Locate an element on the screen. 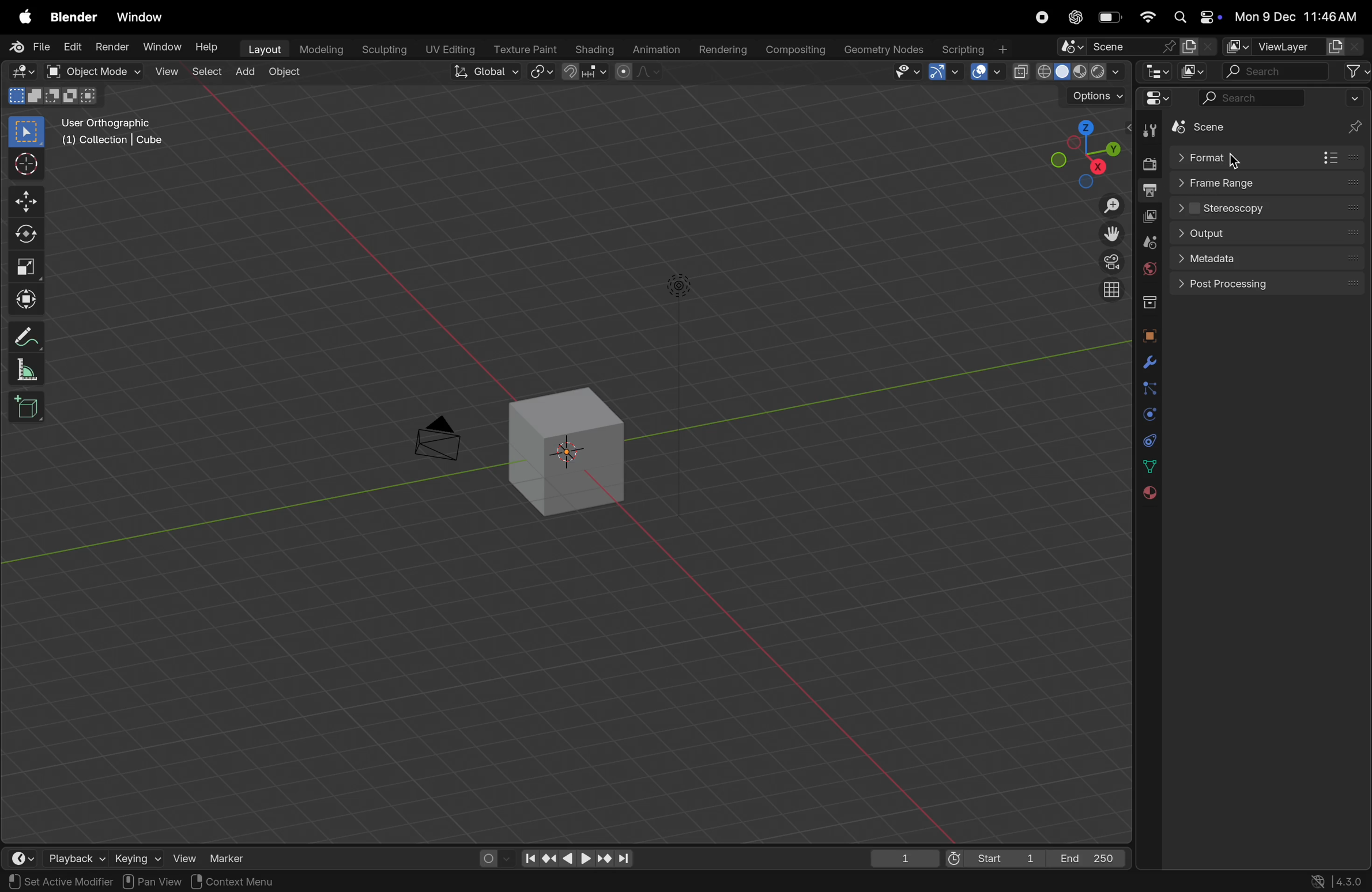  file is located at coordinates (29, 47).